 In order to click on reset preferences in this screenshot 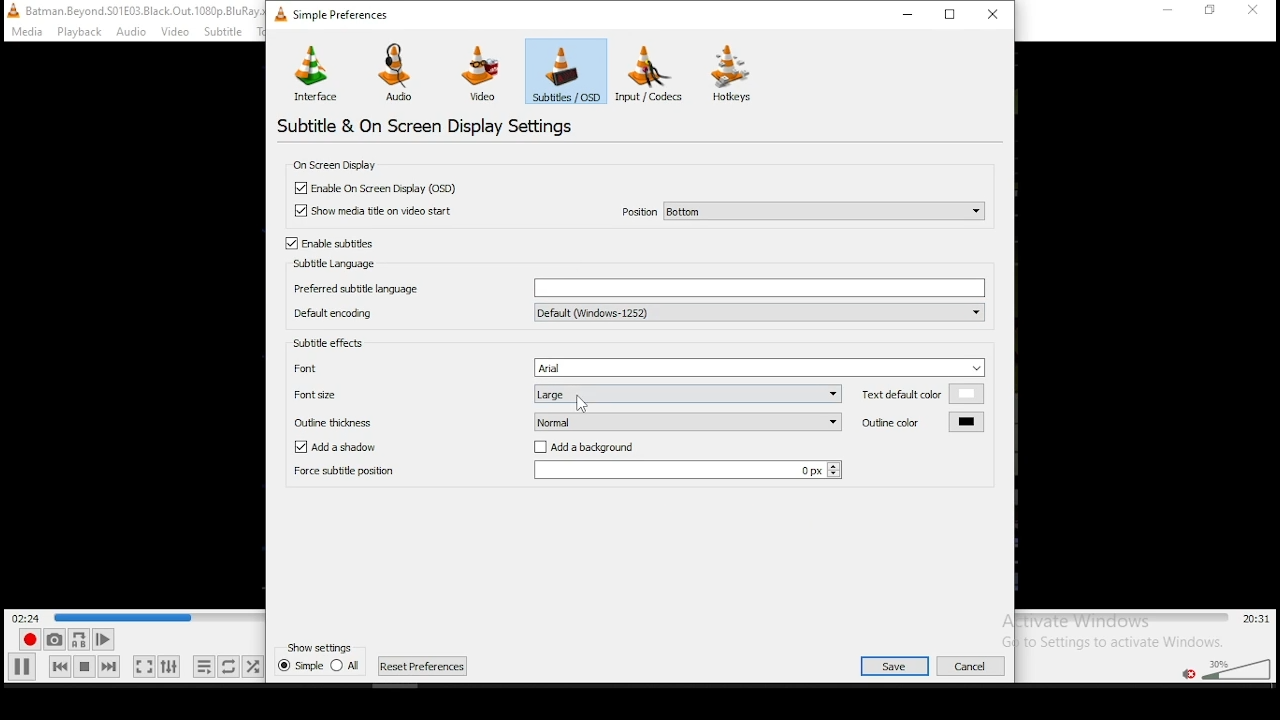, I will do `click(423, 666)`.